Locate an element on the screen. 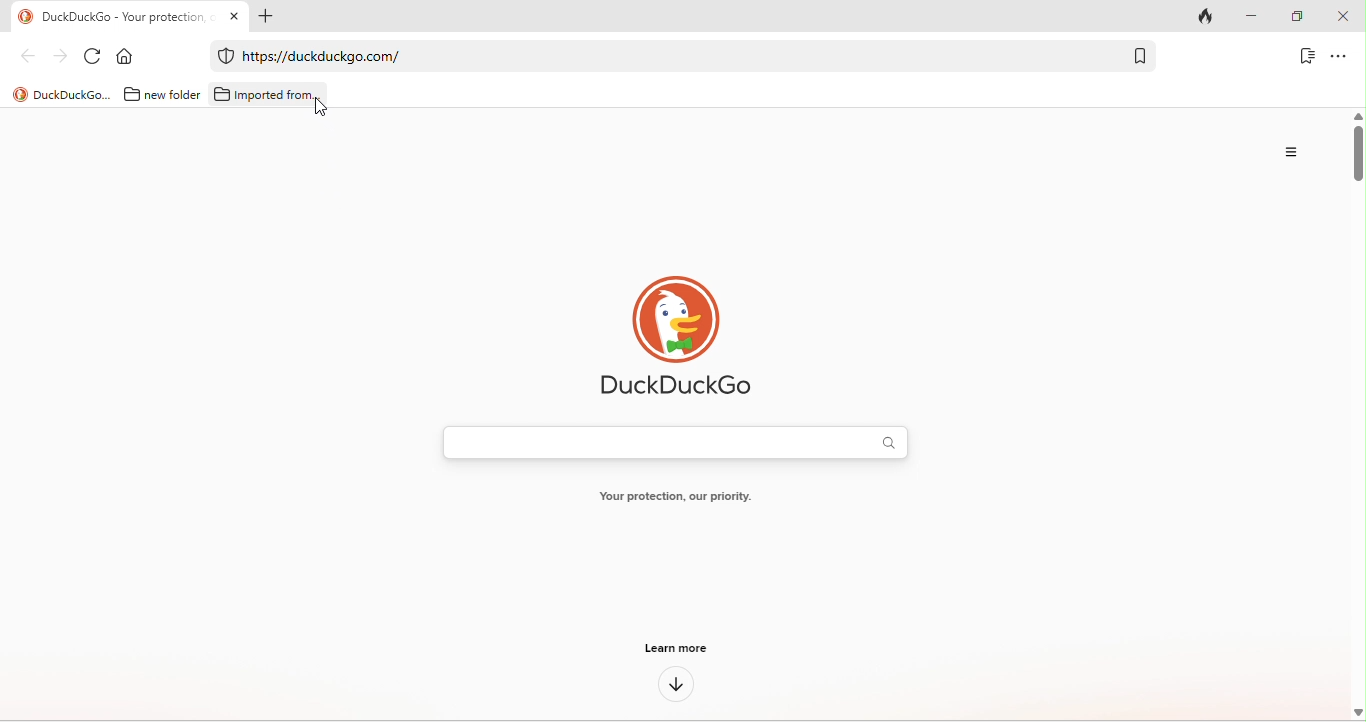 This screenshot has width=1366, height=722. duck duck go logo is located at coordinates (676, 338).